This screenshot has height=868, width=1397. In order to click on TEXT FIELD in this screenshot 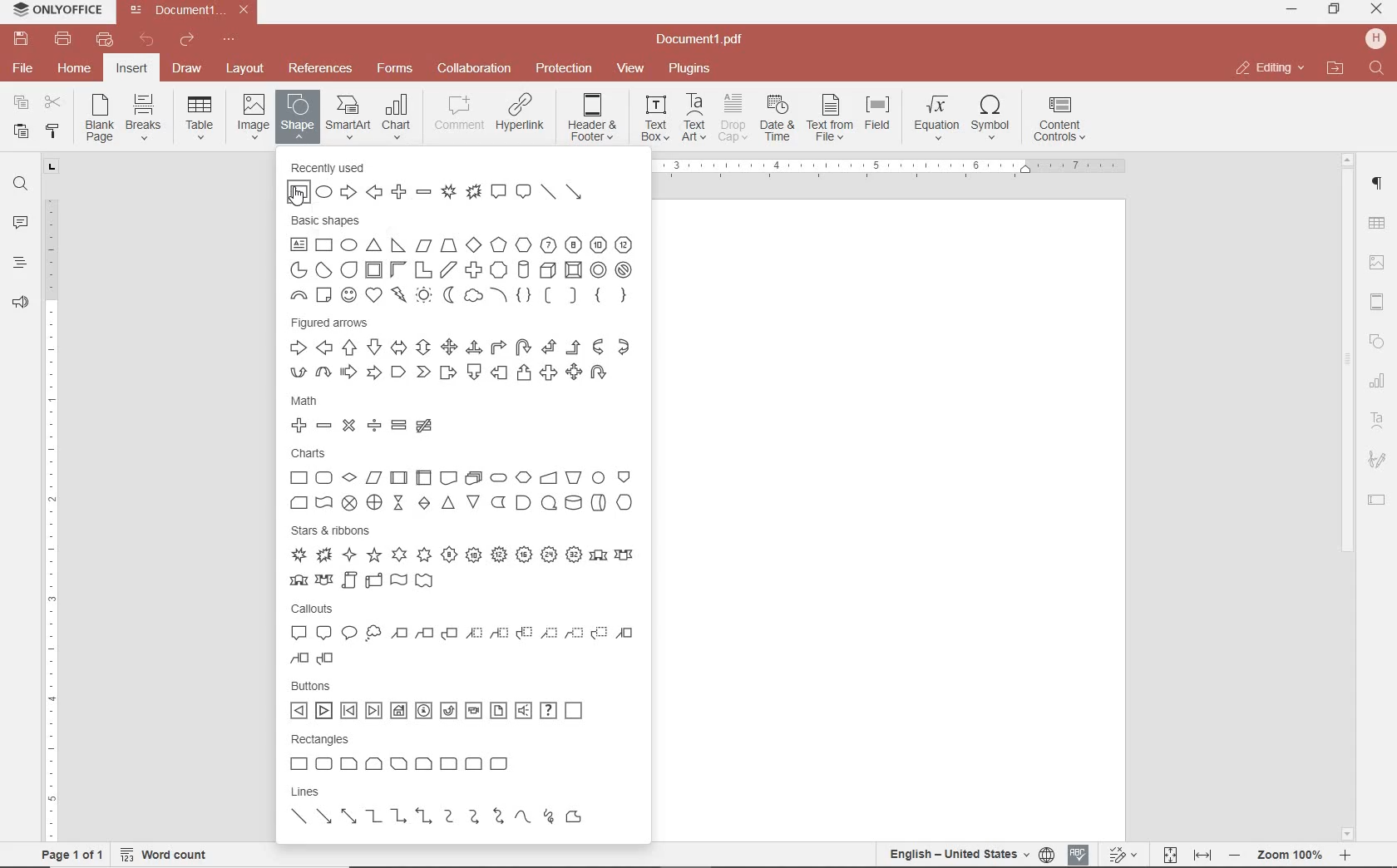, I will do `click(1377, 499)`.